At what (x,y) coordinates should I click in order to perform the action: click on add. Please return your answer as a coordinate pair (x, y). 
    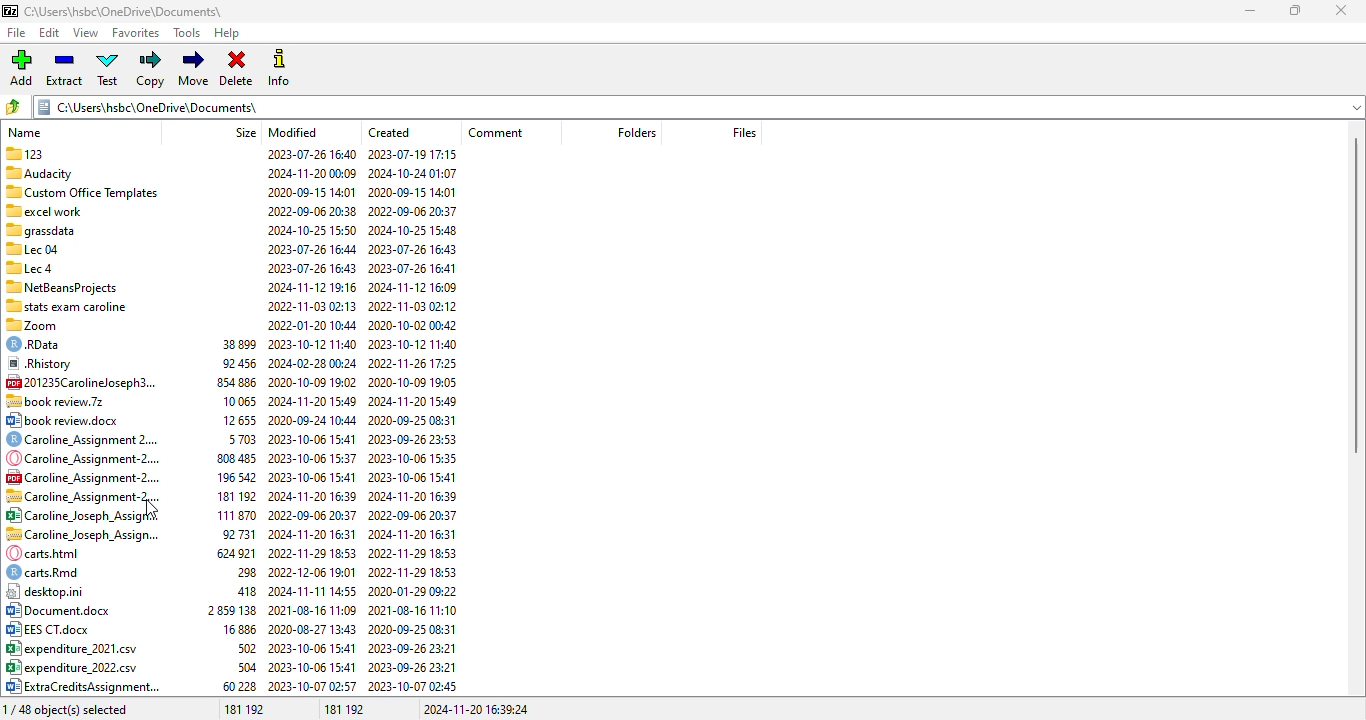
    Looking at the image, I should click on (20, 68).